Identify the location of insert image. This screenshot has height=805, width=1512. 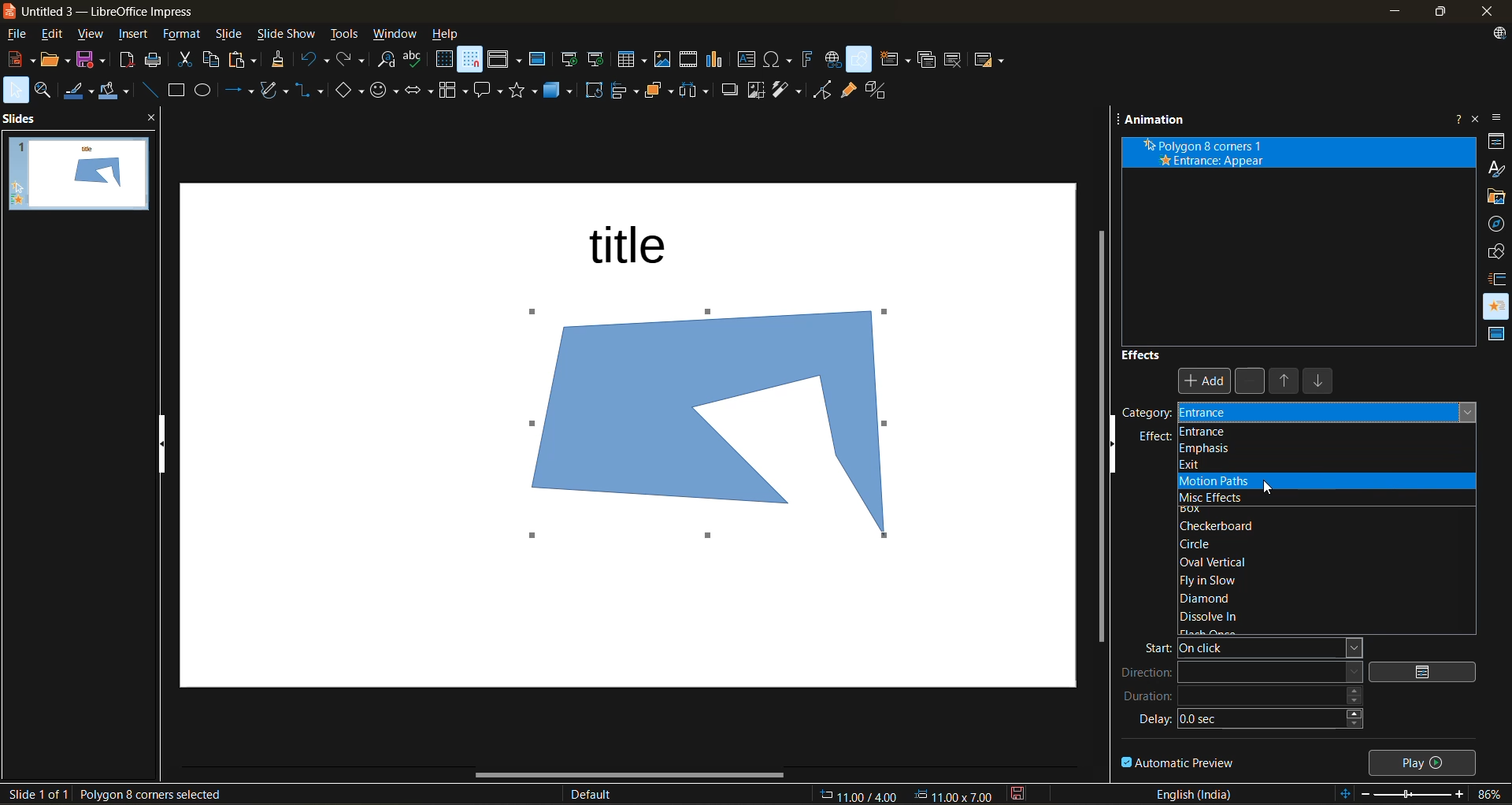
(661, 59).